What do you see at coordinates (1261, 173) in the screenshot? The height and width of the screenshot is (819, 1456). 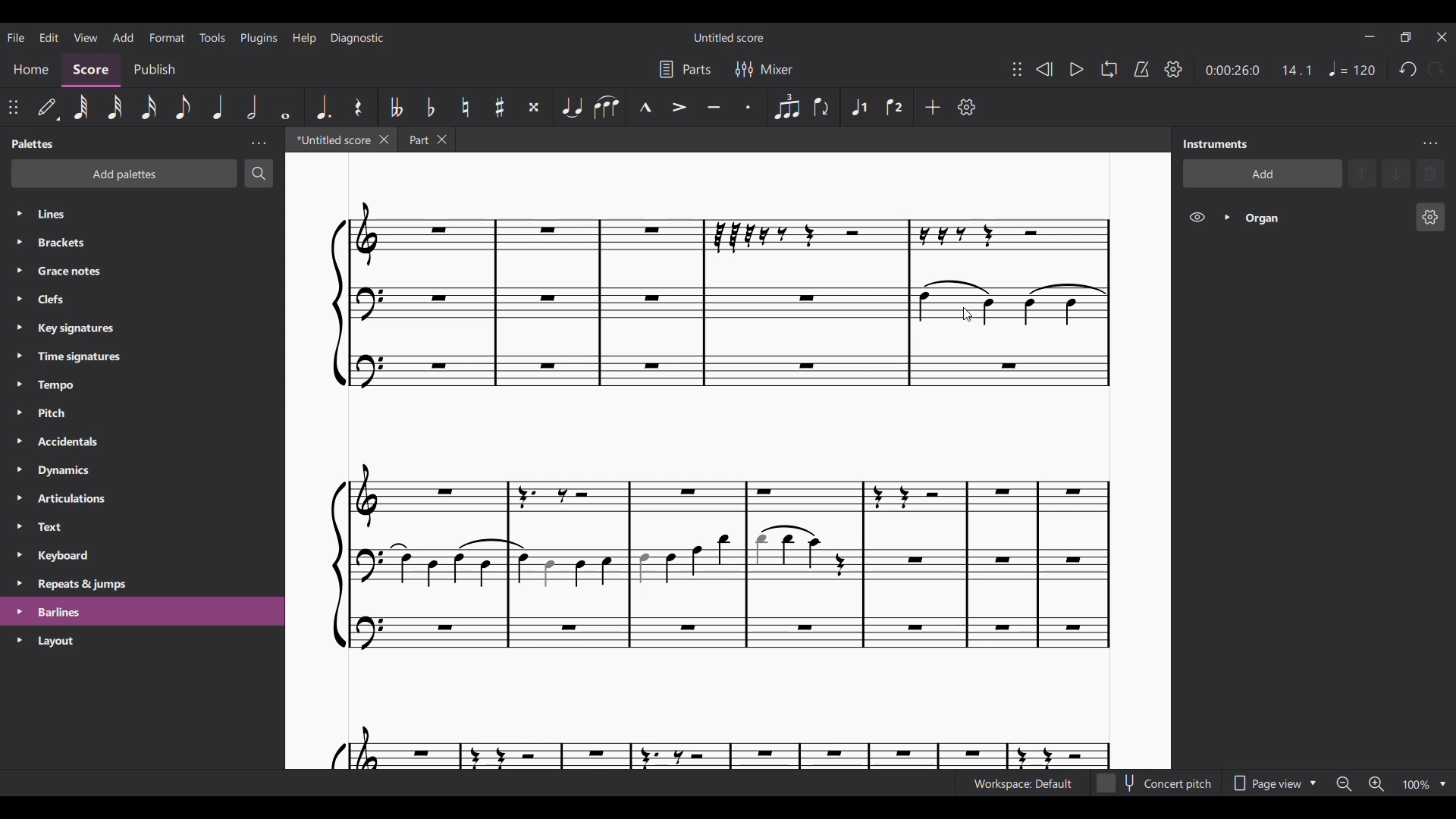 I see `Add instrument` at bounding box center [1261, 173].